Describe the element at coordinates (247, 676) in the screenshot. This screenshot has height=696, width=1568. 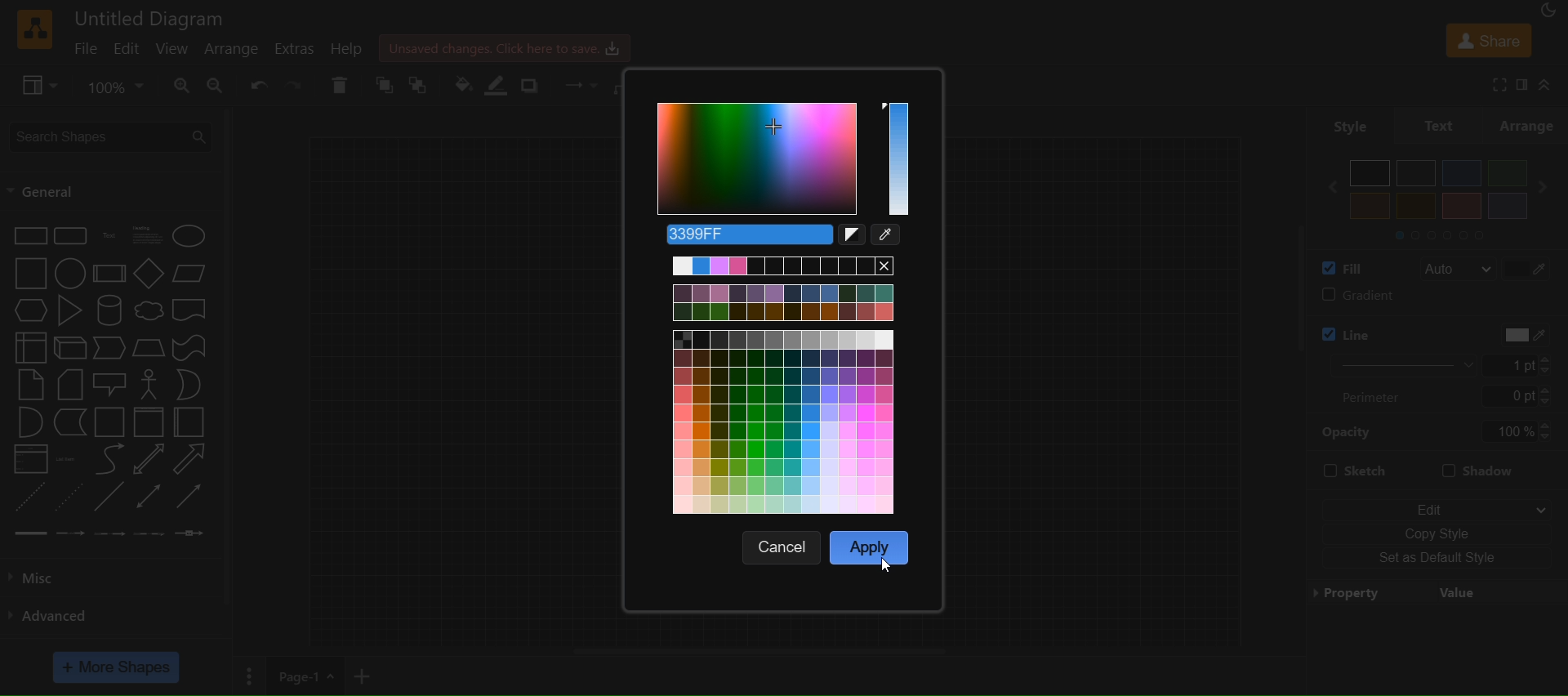
I see `More options` at that location.